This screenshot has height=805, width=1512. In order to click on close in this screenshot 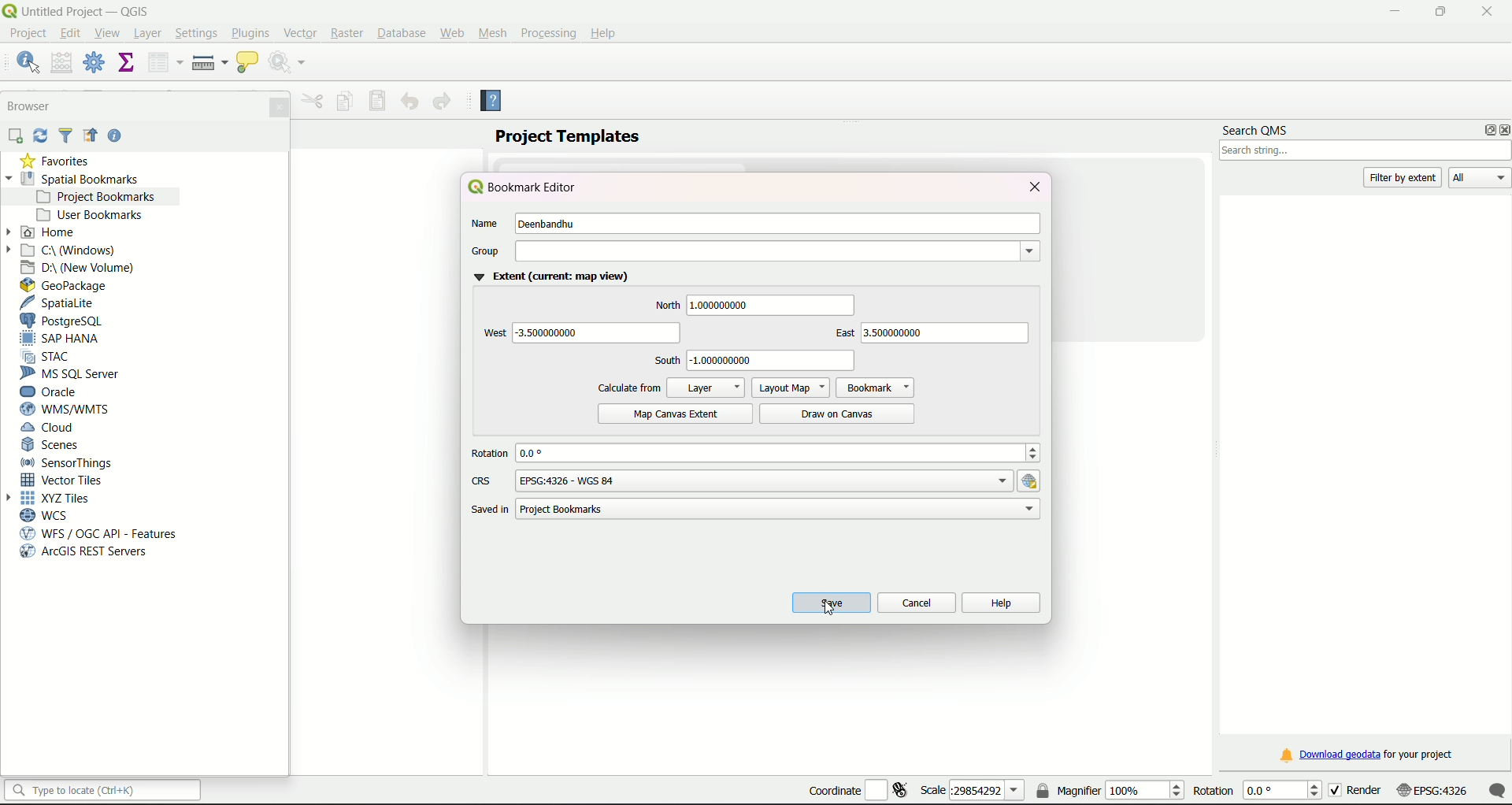, I will do `click(1032, 187)`.